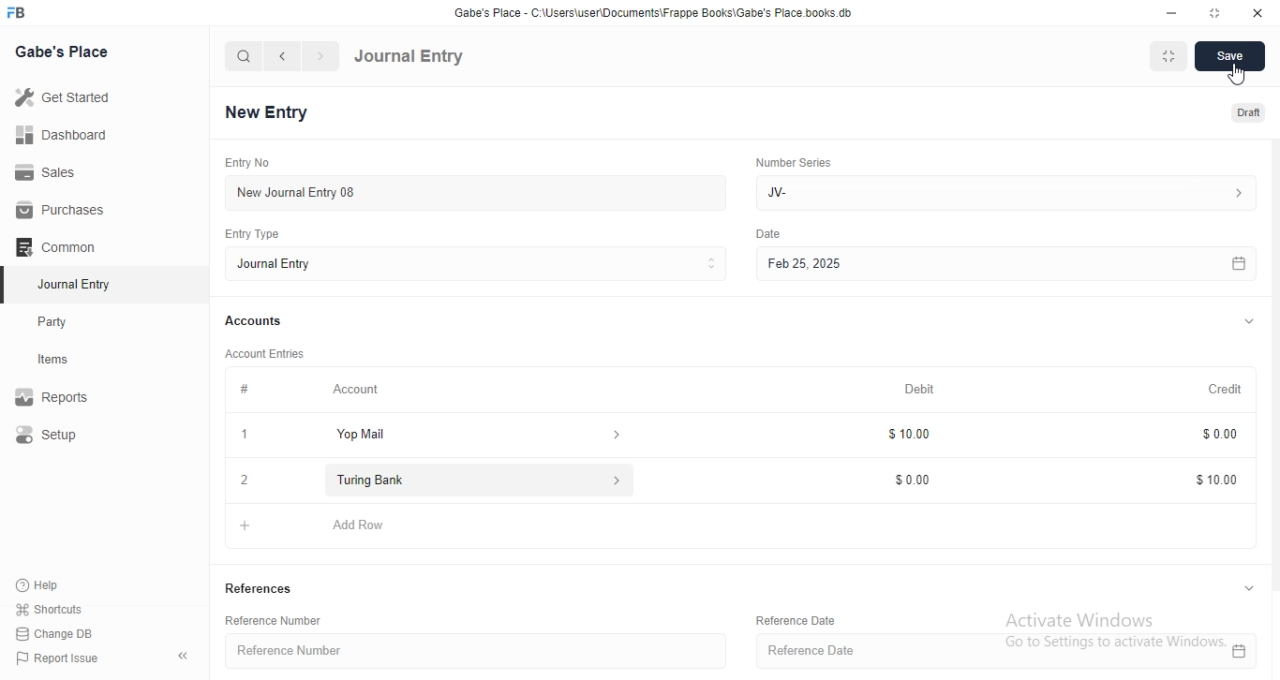 This screenshot has height=680, width=1280. I want to click on Draft, so click(1238, 111).